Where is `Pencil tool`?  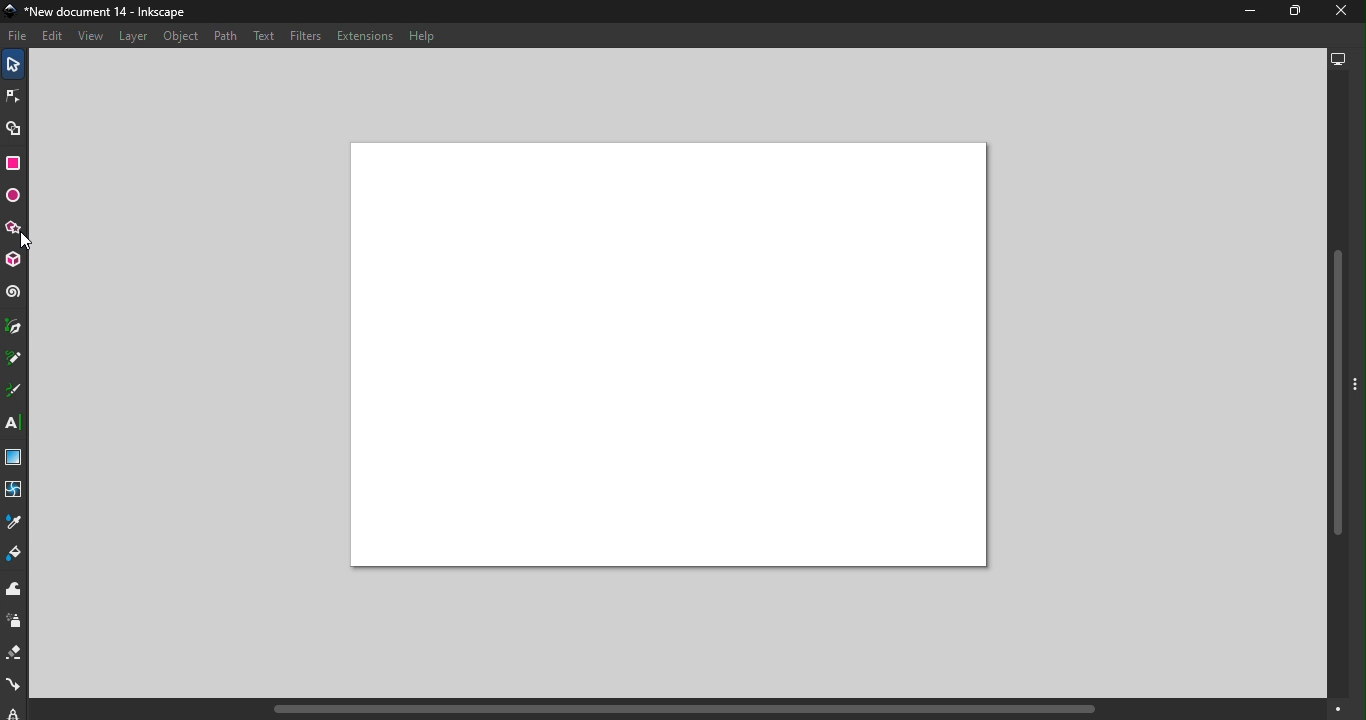 Pencil tool is located at coordinates (14, 361).